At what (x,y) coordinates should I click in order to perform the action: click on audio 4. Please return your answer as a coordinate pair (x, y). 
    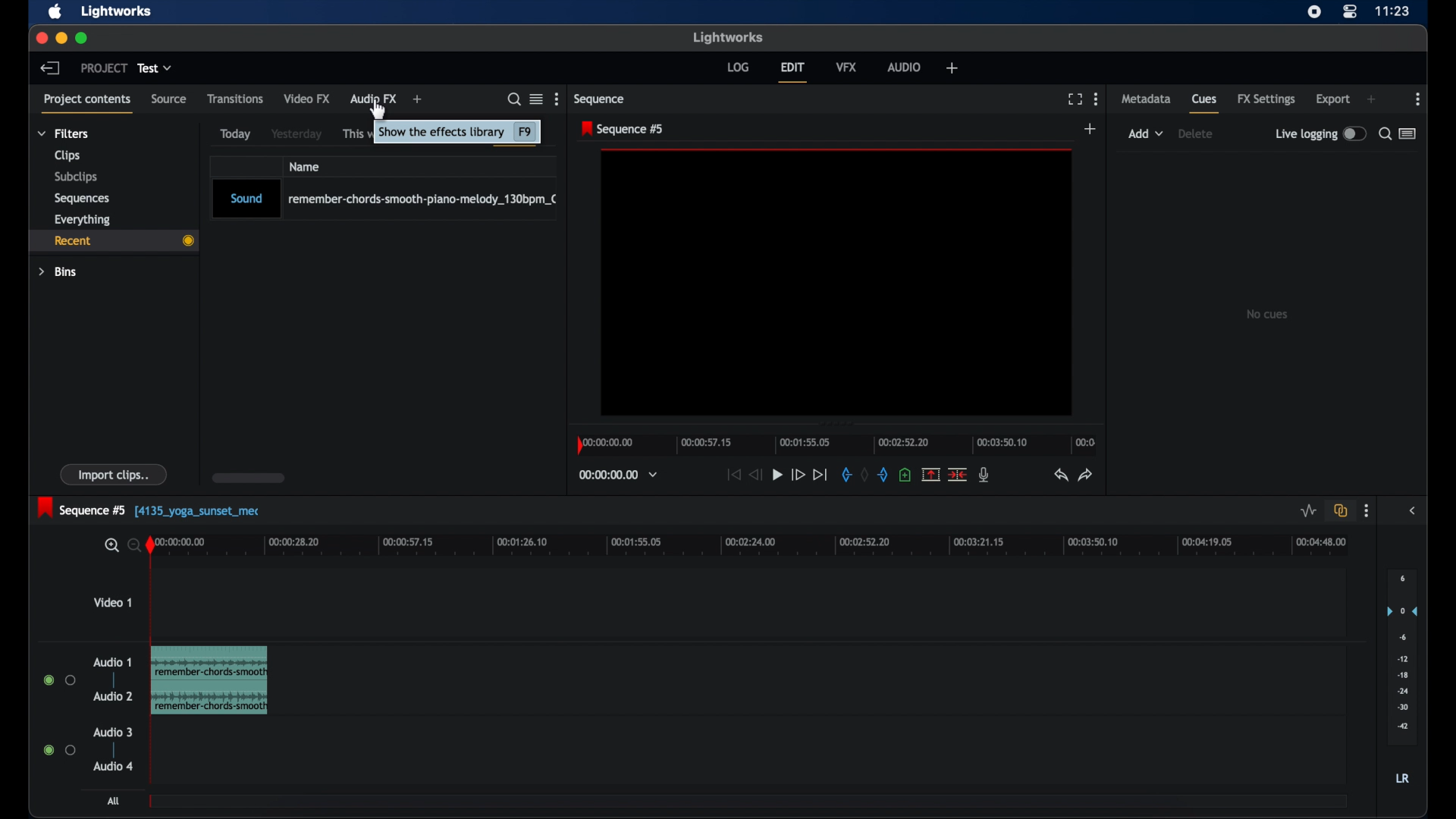
    Looking at the image, I should click on (114, 766).